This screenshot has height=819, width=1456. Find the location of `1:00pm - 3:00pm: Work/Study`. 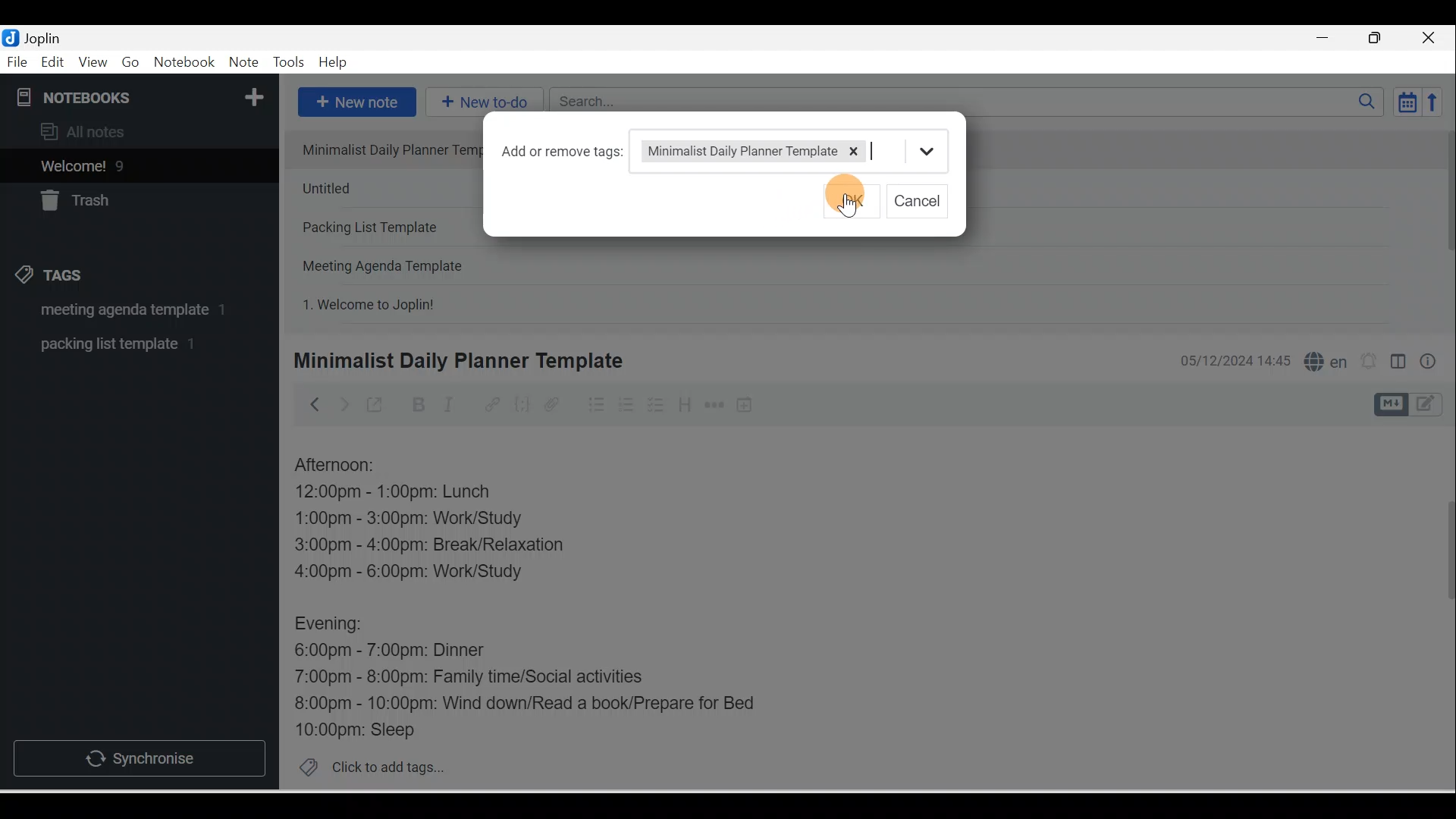

1:00pm - 3:00pm: Work/Study is located at coordinates (409, 519).